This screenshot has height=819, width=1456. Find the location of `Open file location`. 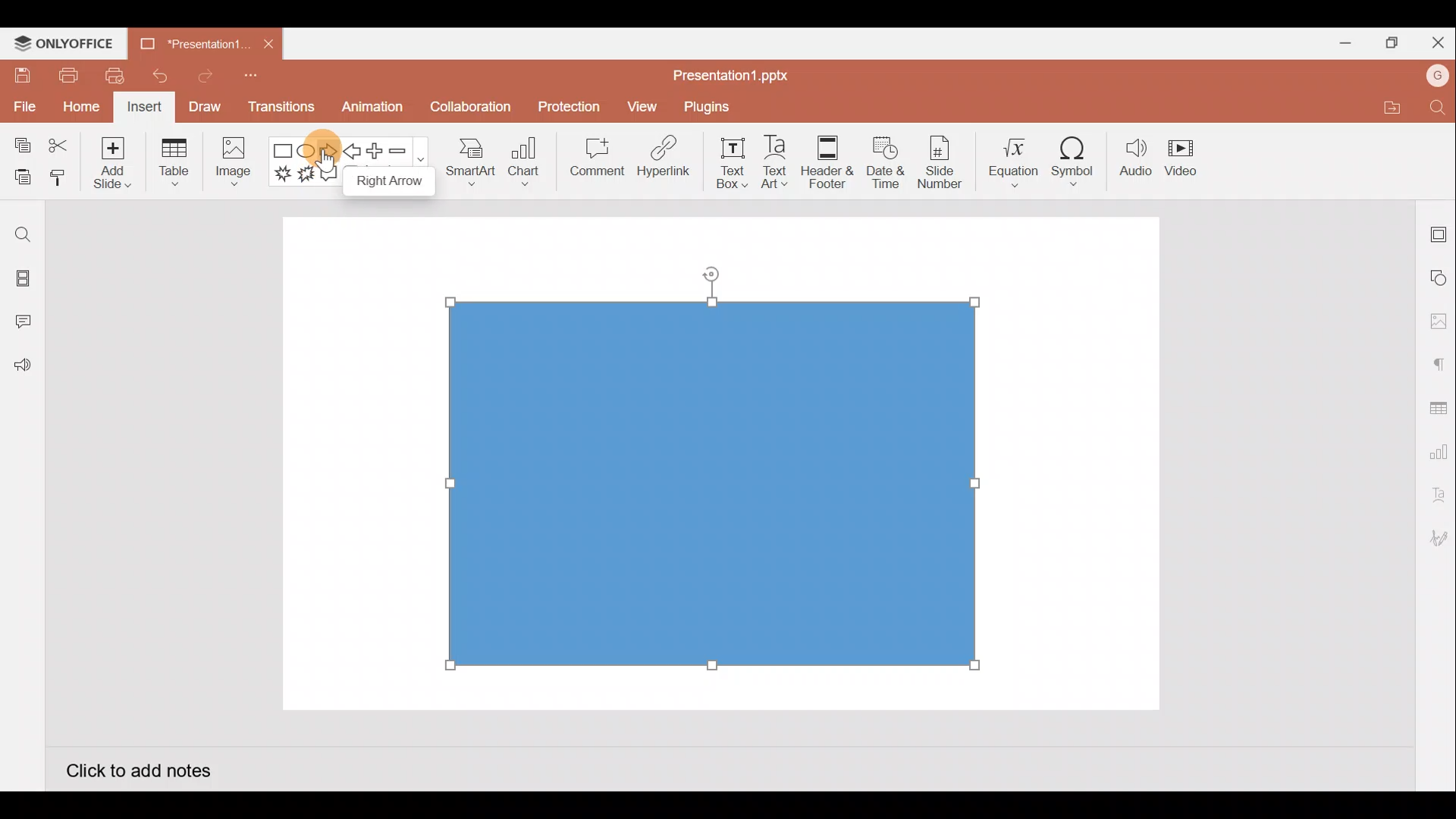

Open file location is located at coordinates (1389, 107).